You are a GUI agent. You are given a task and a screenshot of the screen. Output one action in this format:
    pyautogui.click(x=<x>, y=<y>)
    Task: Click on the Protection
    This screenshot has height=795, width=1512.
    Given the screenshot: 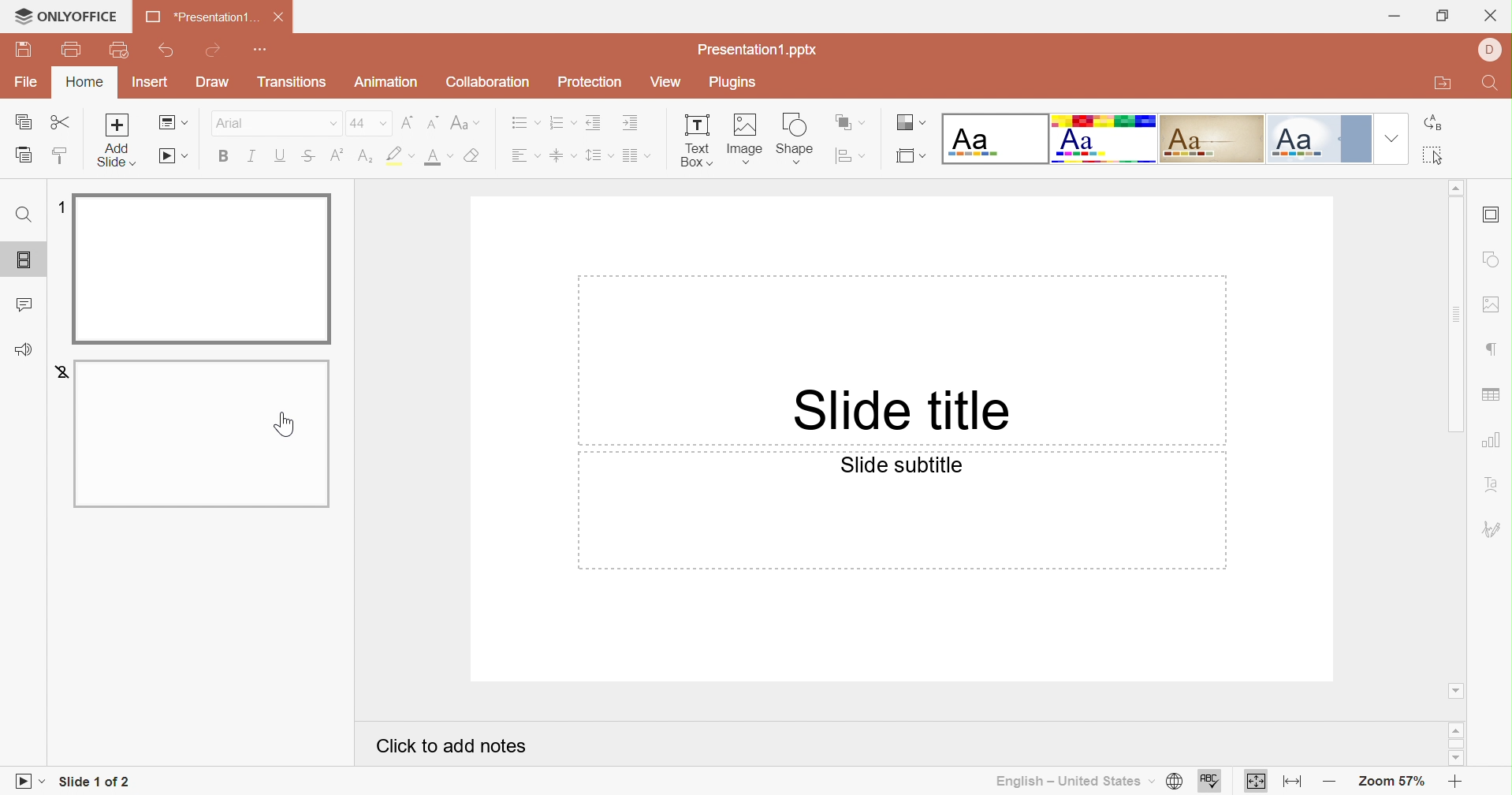 What is the action you would take?
    pyautogui.click(x=588, y=80)
    